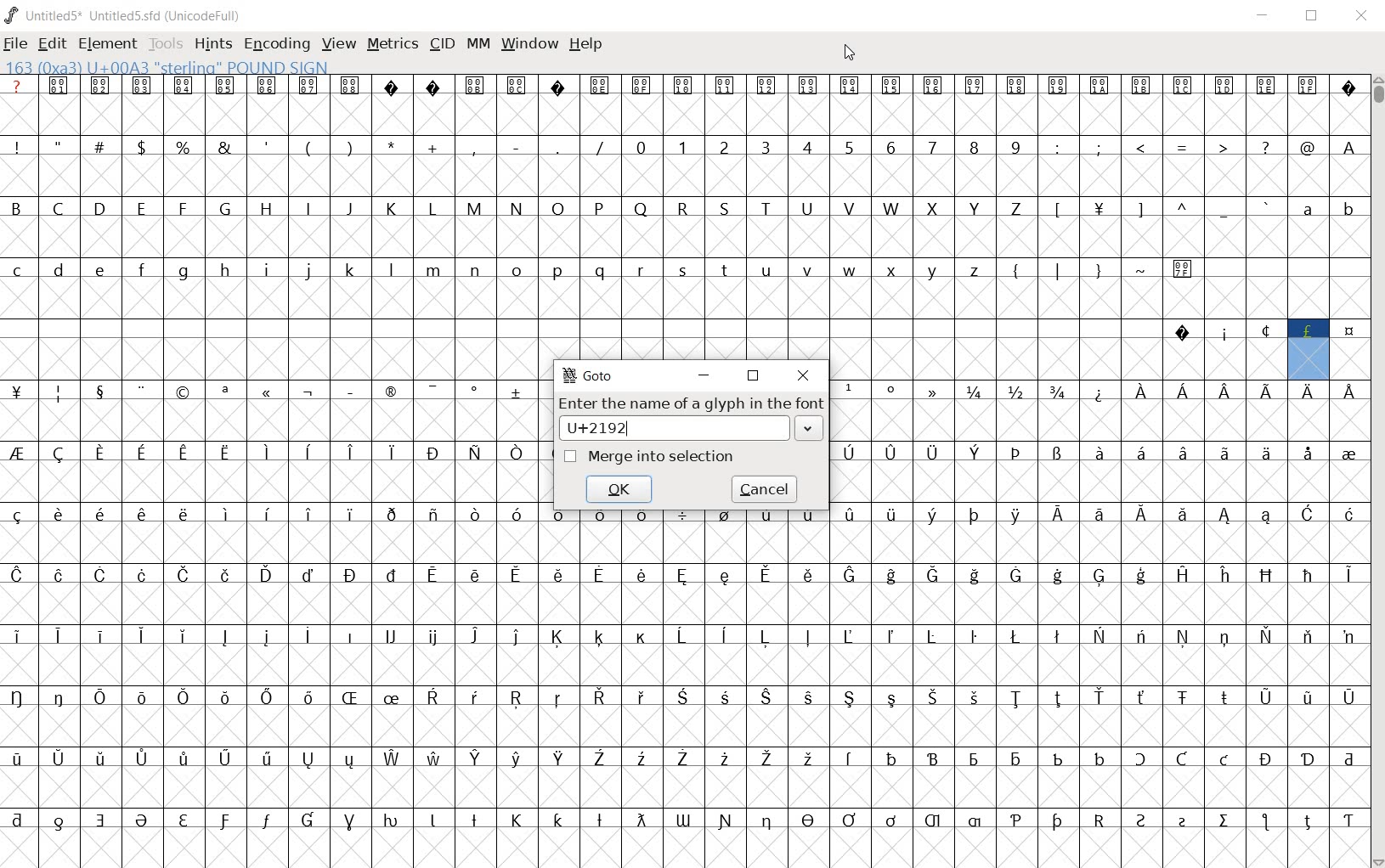 The width and height of the screenshot is (1385, 868). Describe the element at coordinates (1312, 16) in the screenshot. I see `RESTORE DOWN` at that location.